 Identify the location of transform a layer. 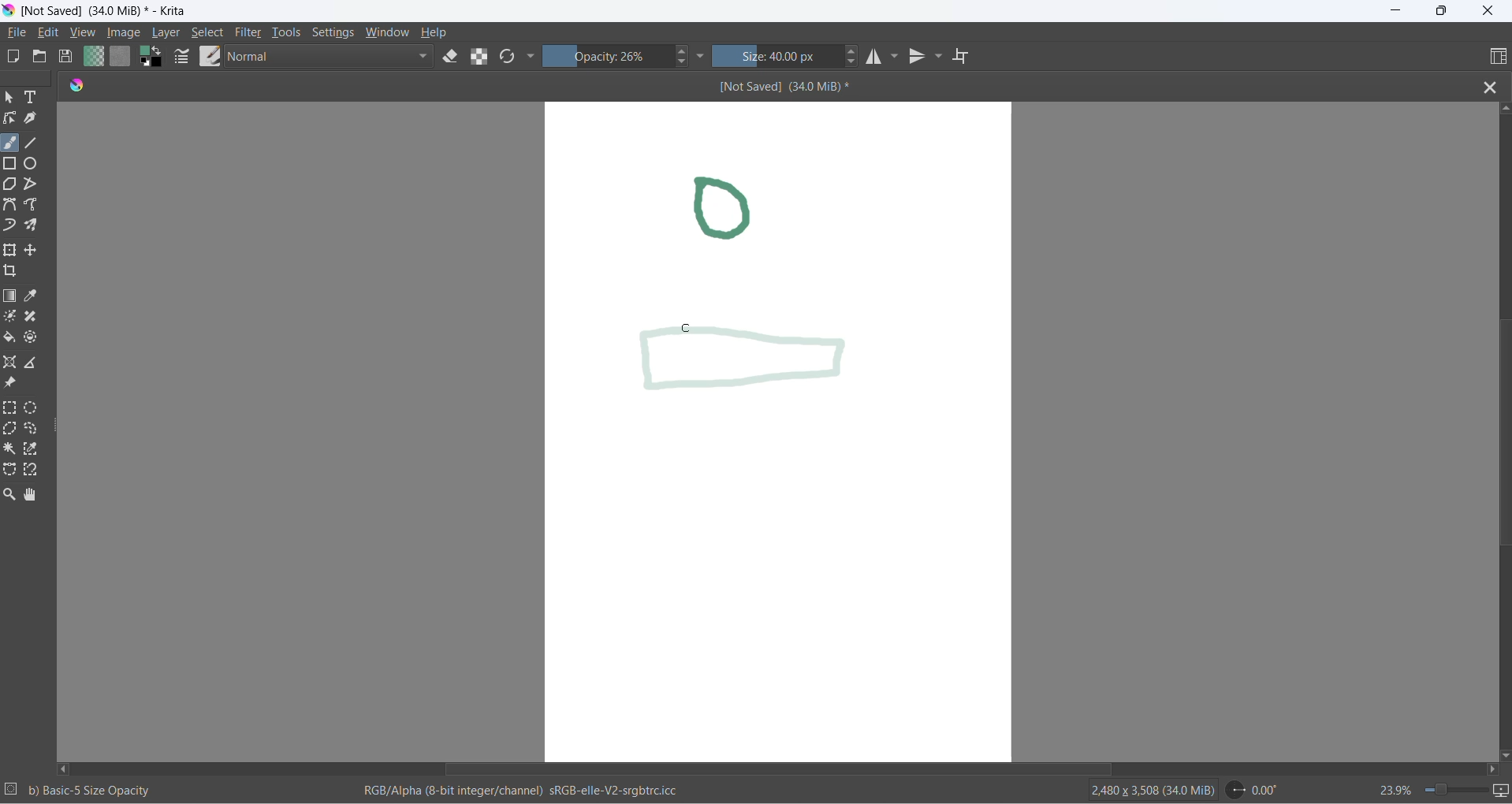
(12, 251).